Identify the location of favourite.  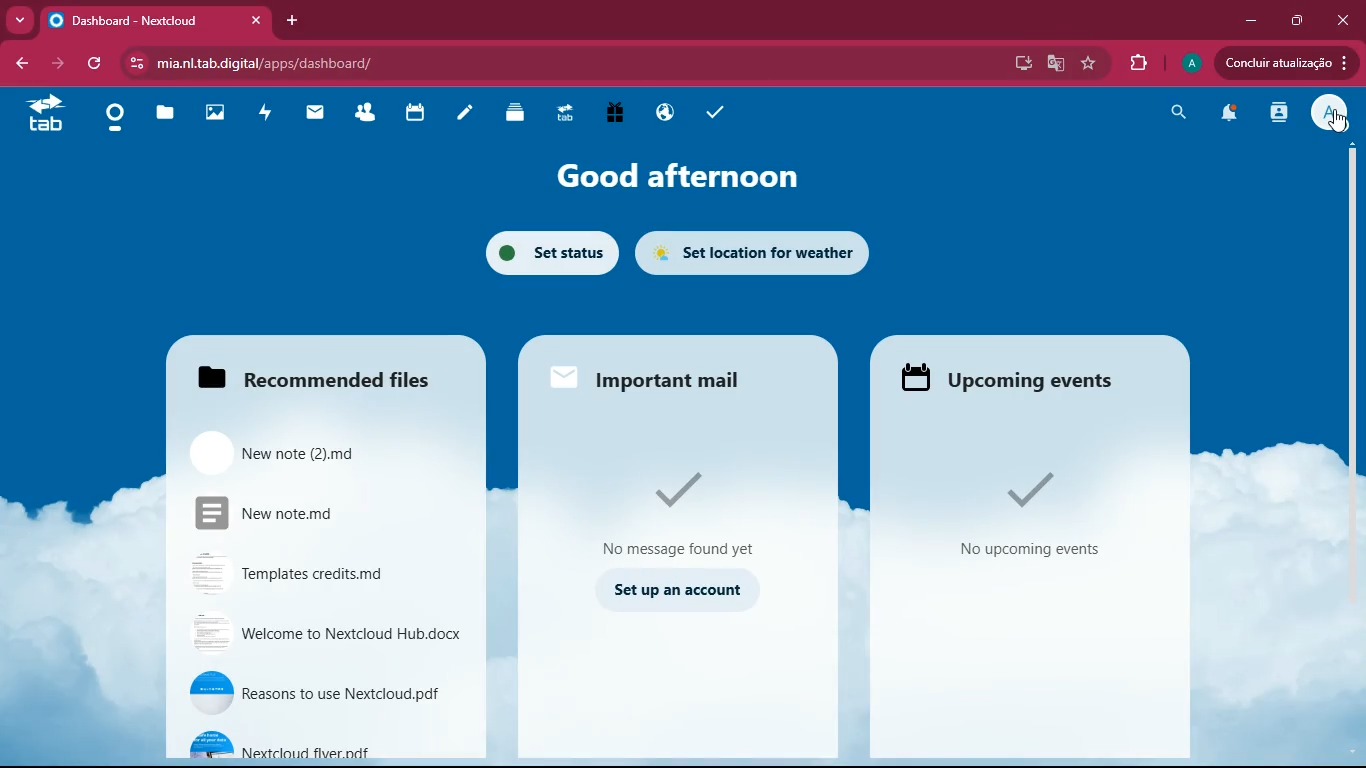
(1090, 63).